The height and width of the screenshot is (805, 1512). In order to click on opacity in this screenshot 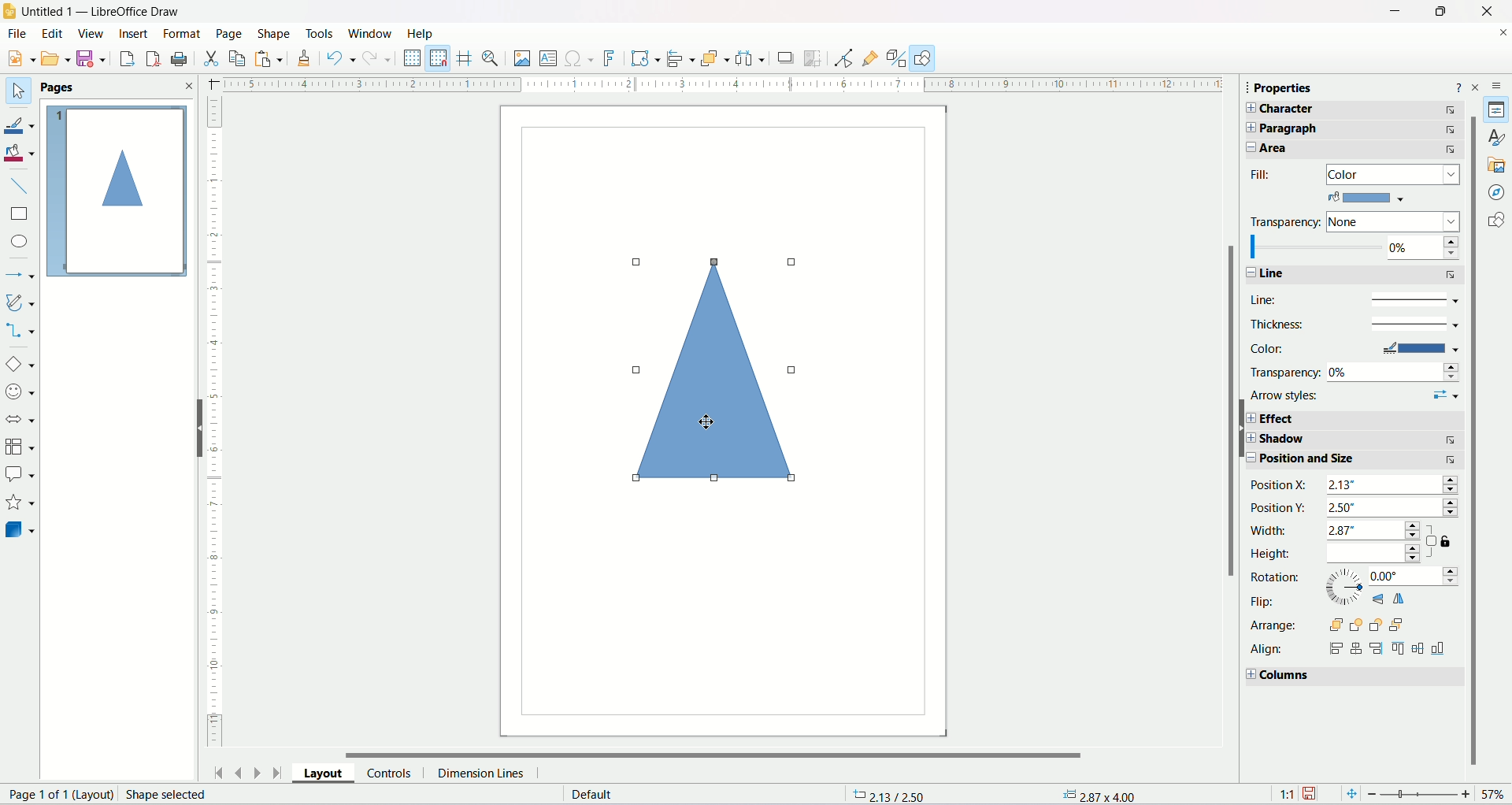, I will do `click(1354, 248)`.